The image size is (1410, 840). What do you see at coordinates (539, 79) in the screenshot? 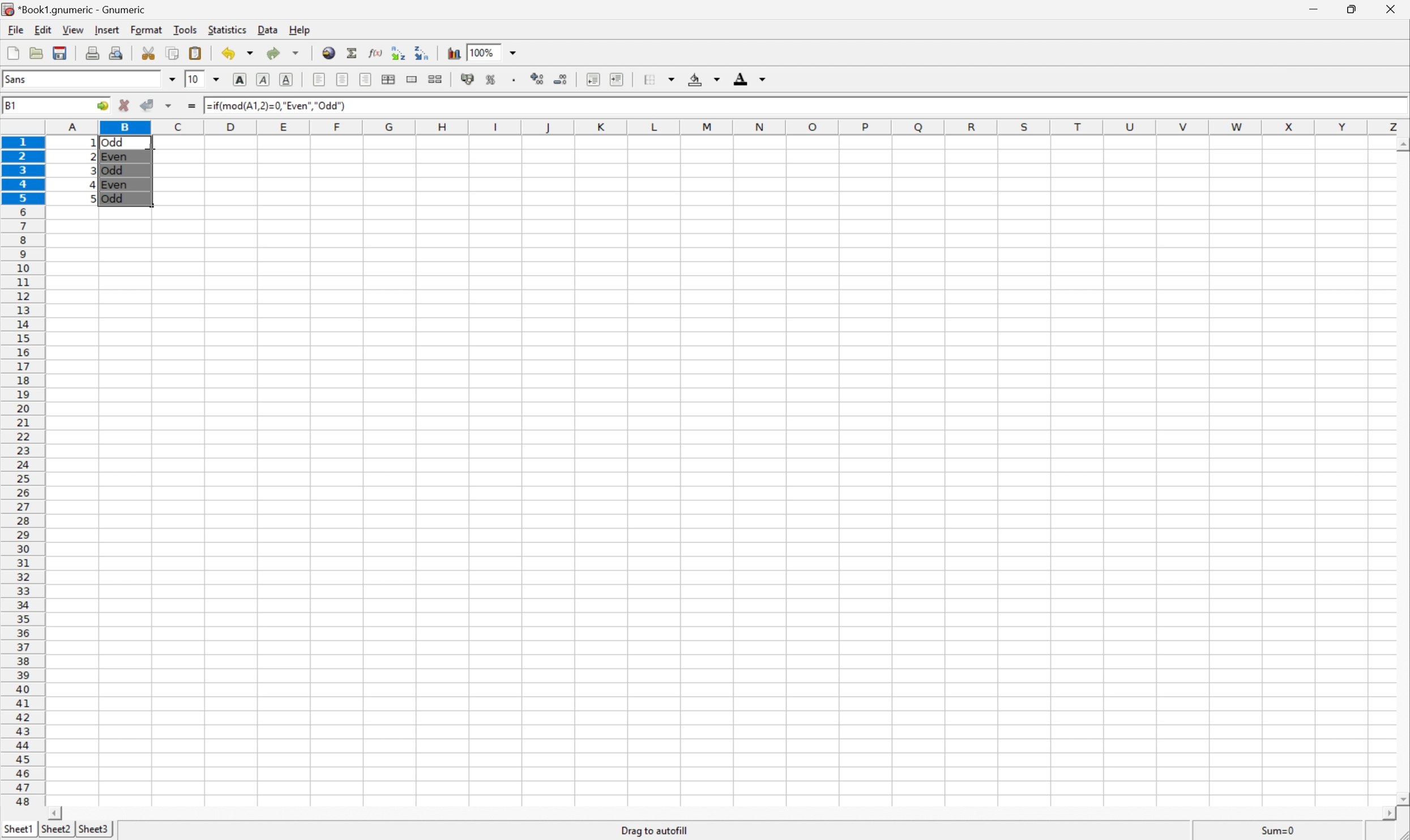
I see `Increase the decimals displayed` at bounding box center [539, 79].